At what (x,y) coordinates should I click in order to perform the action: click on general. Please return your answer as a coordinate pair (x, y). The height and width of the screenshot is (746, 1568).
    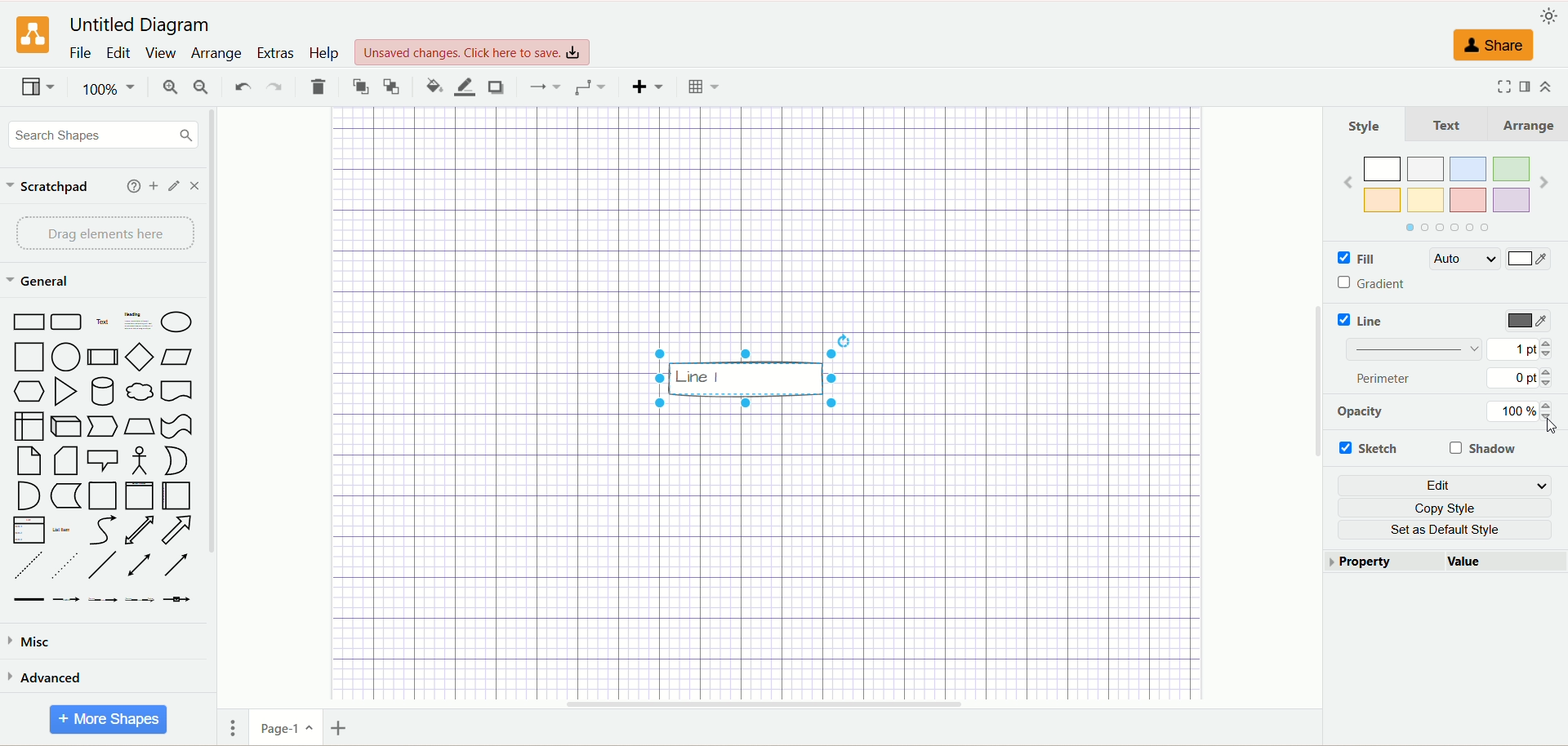
    Looking at the image, I should click on (40, 280).